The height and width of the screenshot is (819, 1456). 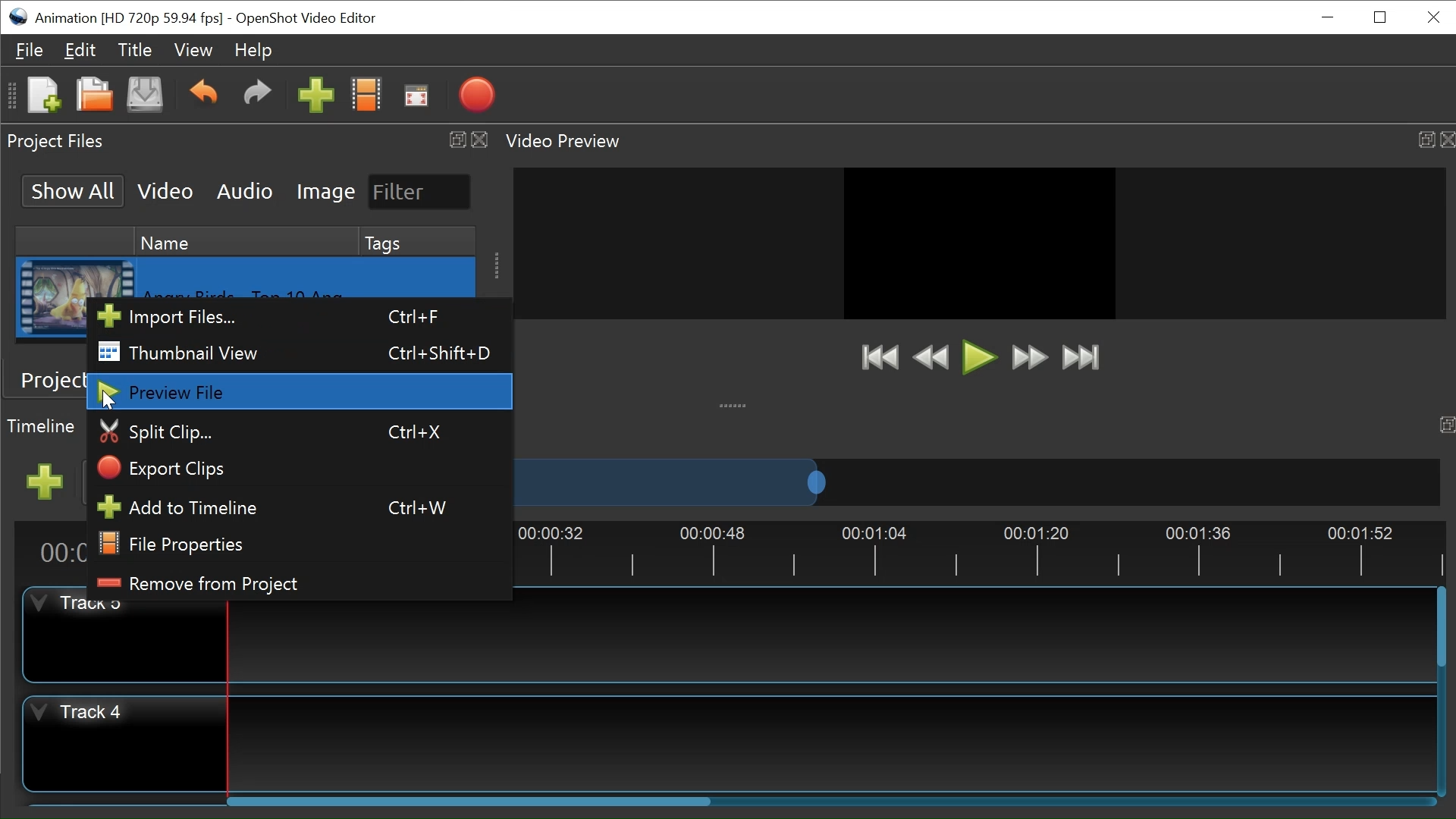 What do you see at coordinates (827, 640) in the screenshot?
I see `Track Panel` at bounding box center [827, 640].